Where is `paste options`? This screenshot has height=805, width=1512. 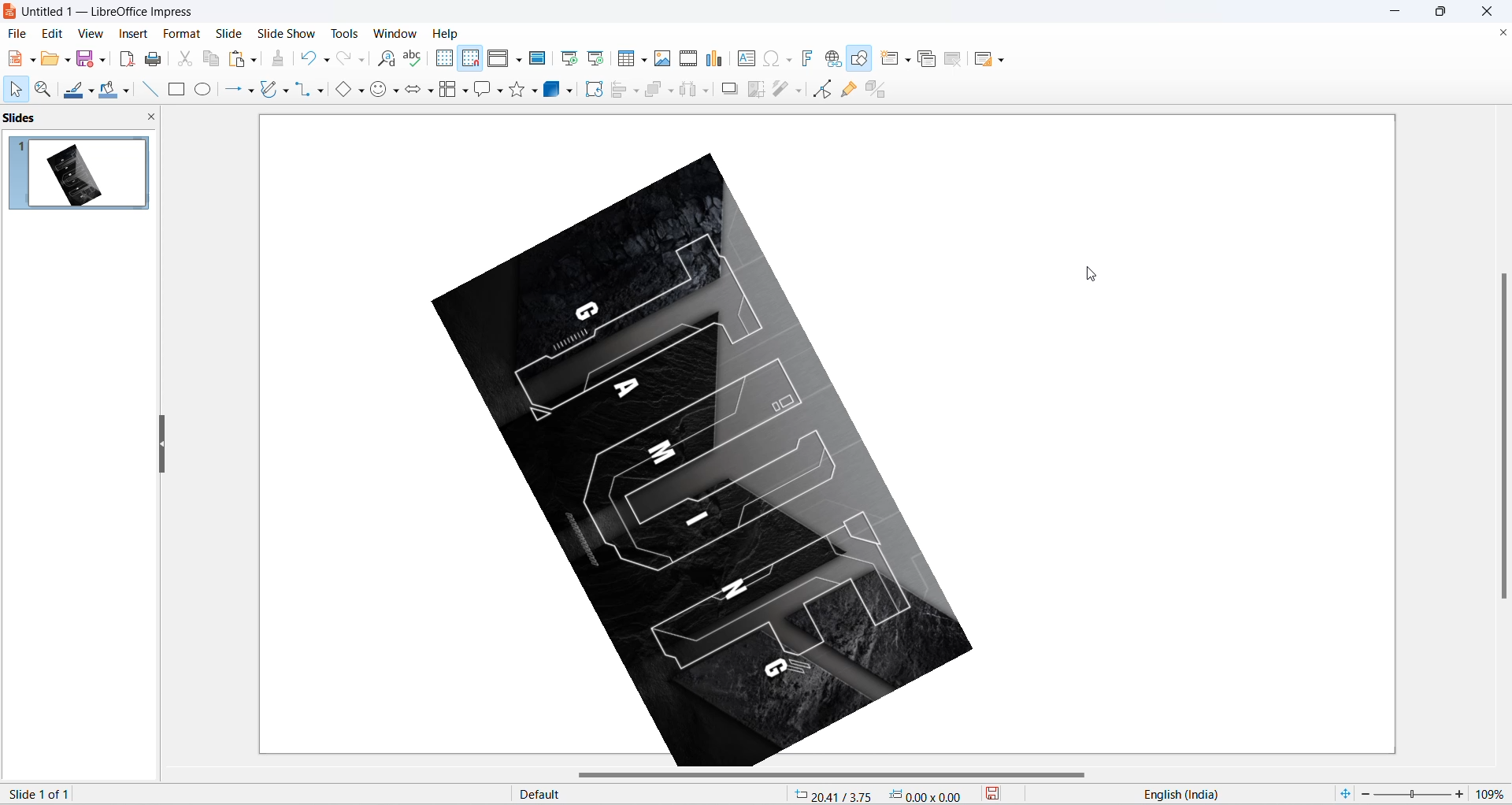 paste options is located at coordinates (253, 57).